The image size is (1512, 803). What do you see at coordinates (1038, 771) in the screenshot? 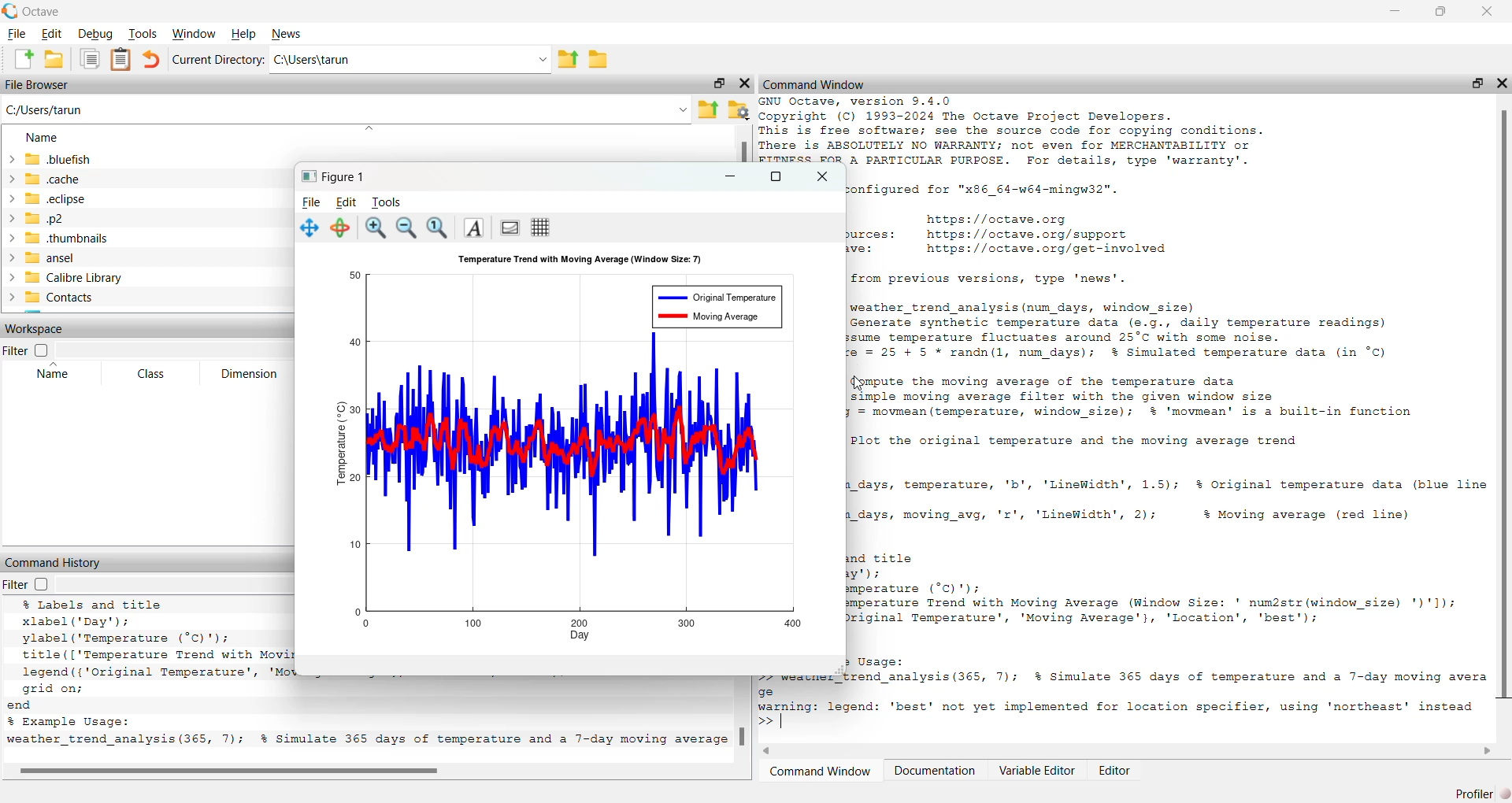
I see `Variable Editor` at bounding box center [1038, 771].